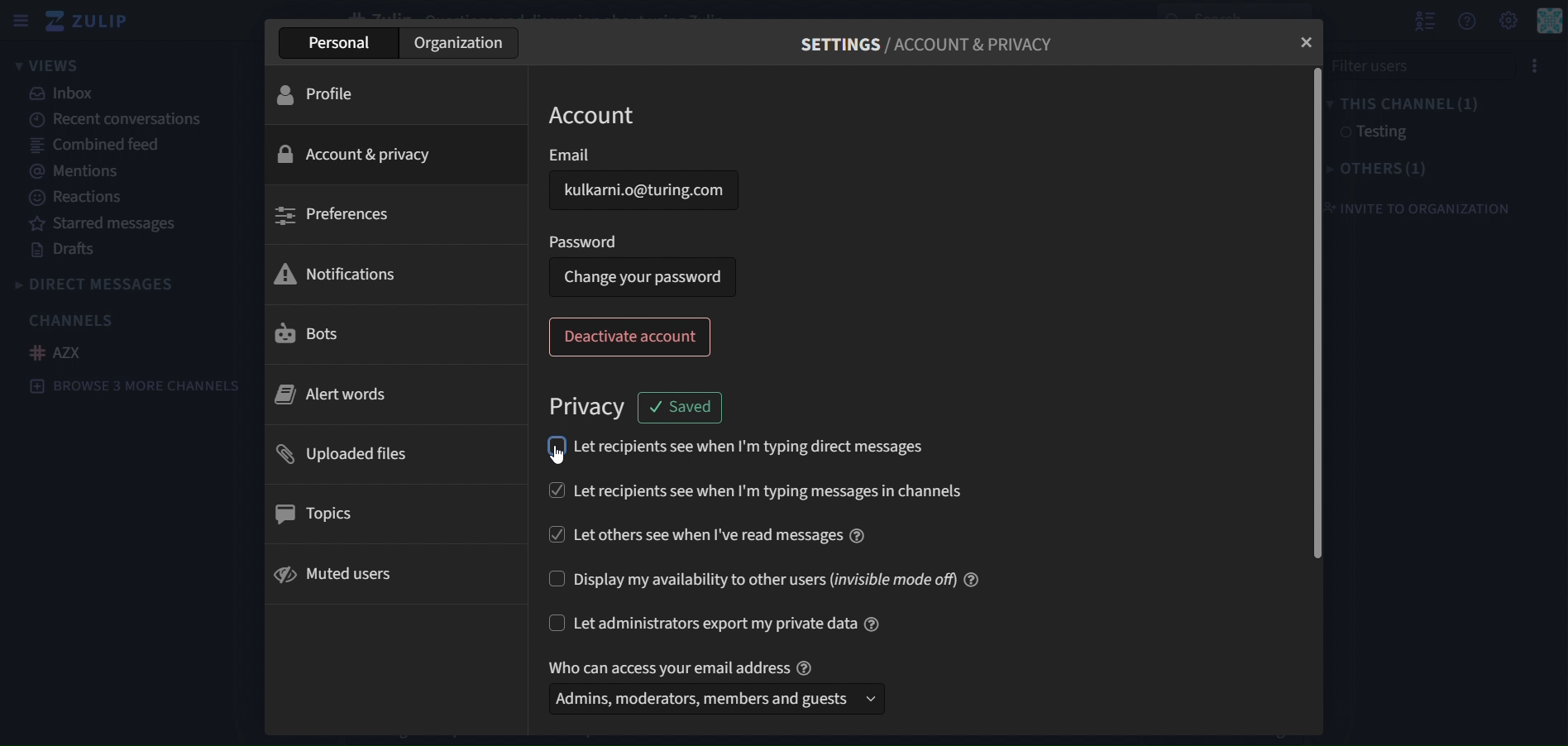 Image resolution: width=1568 pixels, height=746 pixels. What do you see at coordinates (593, 116) in the screenshot?
I see `account` at bounding box center [593, 116].